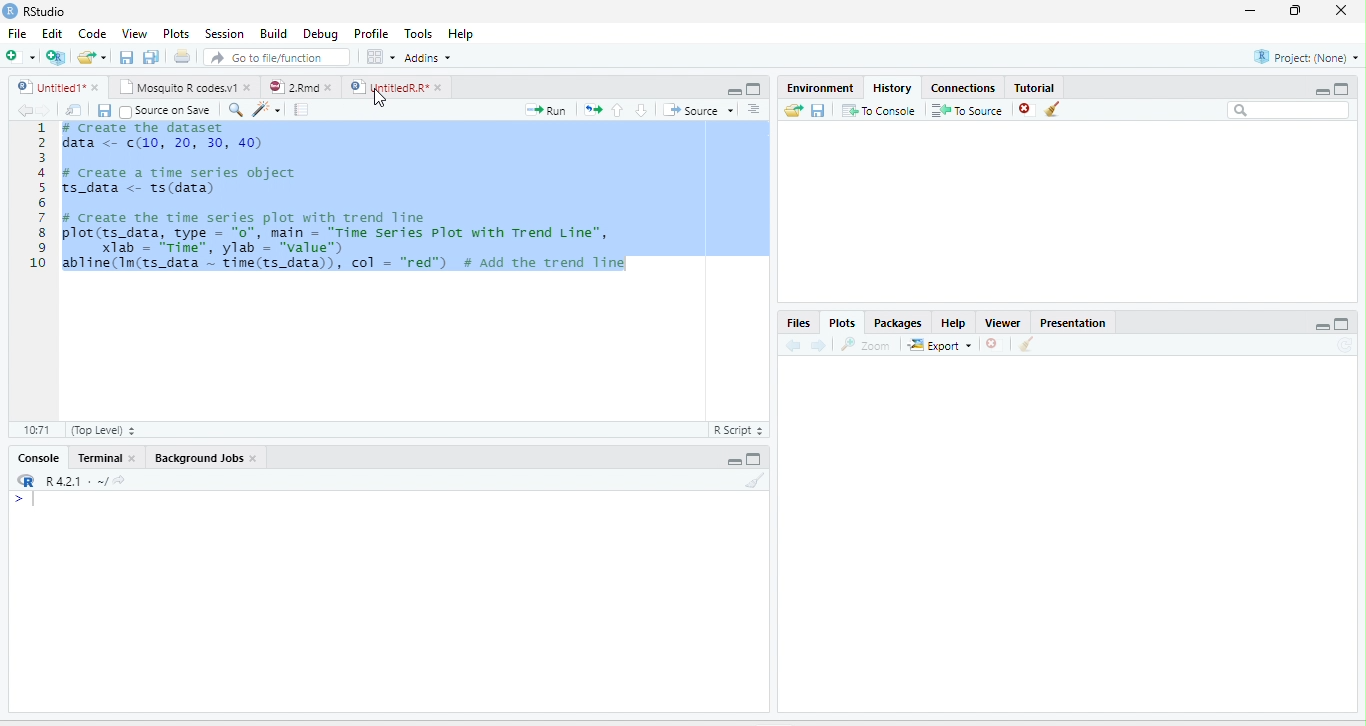 The height and width of the screenshot is (726, 1366). What do you see at coordinates (225, 33) in the screenshot?
I see `Session` at bounding box center [225, 33].